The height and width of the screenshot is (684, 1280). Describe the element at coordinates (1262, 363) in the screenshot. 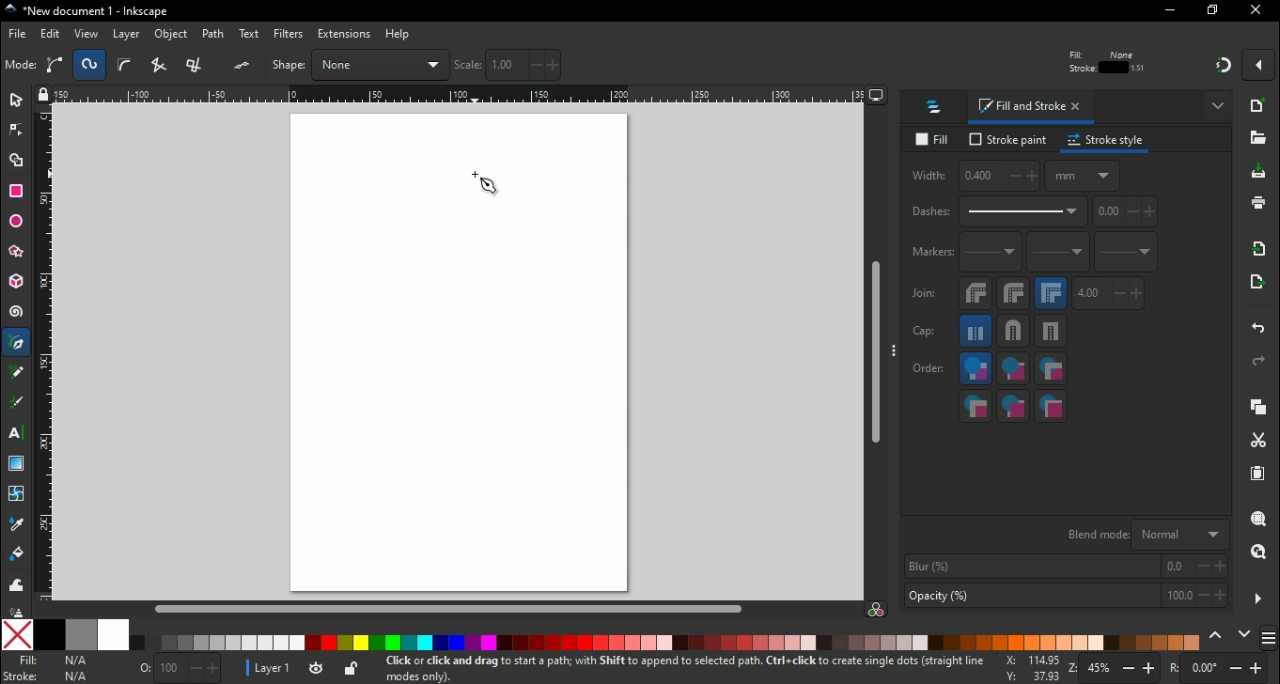

I see `redo` at that location.